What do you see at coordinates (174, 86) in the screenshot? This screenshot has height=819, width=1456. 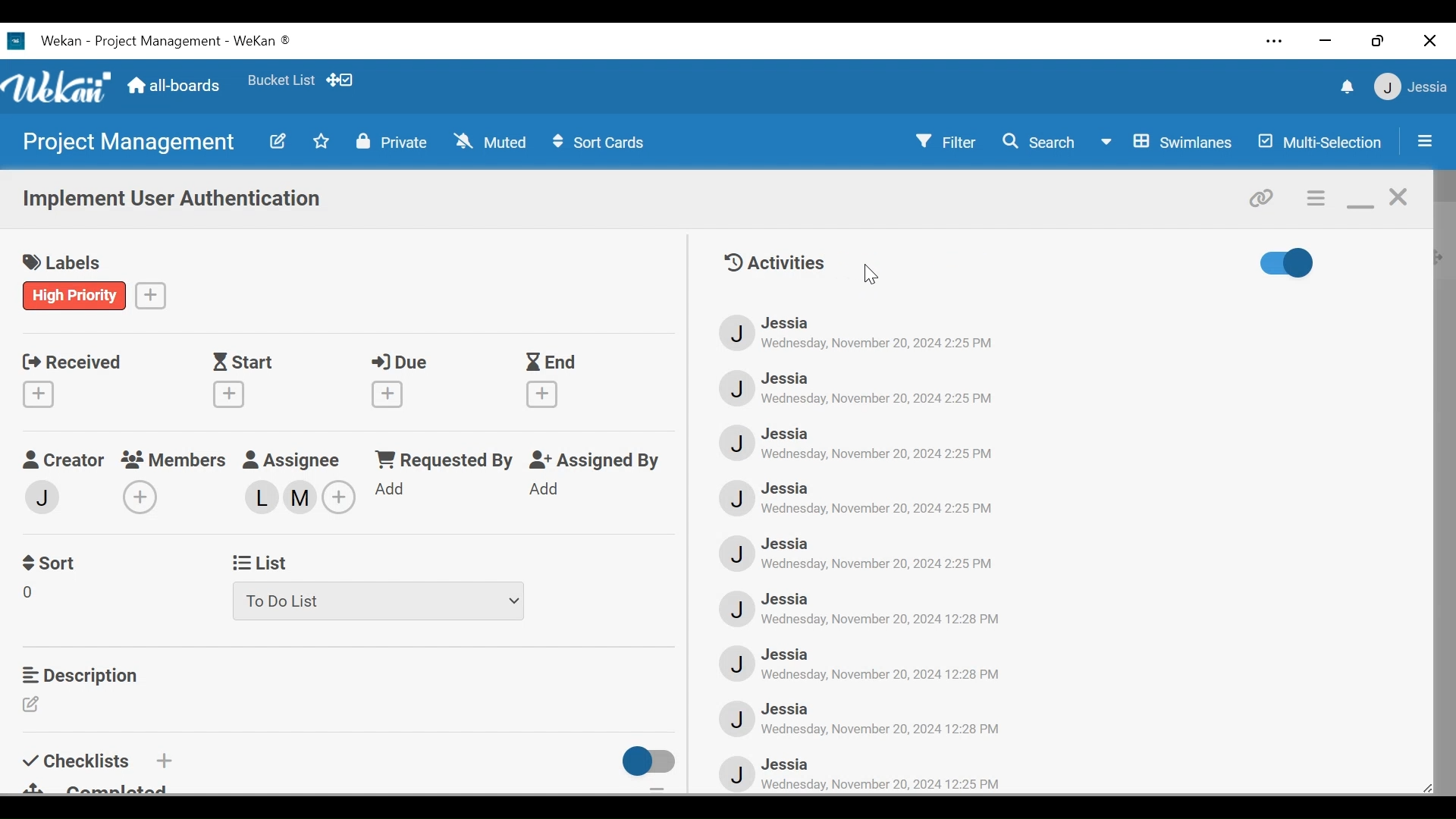 I see `all-boards` at bounding box center [174, 86].